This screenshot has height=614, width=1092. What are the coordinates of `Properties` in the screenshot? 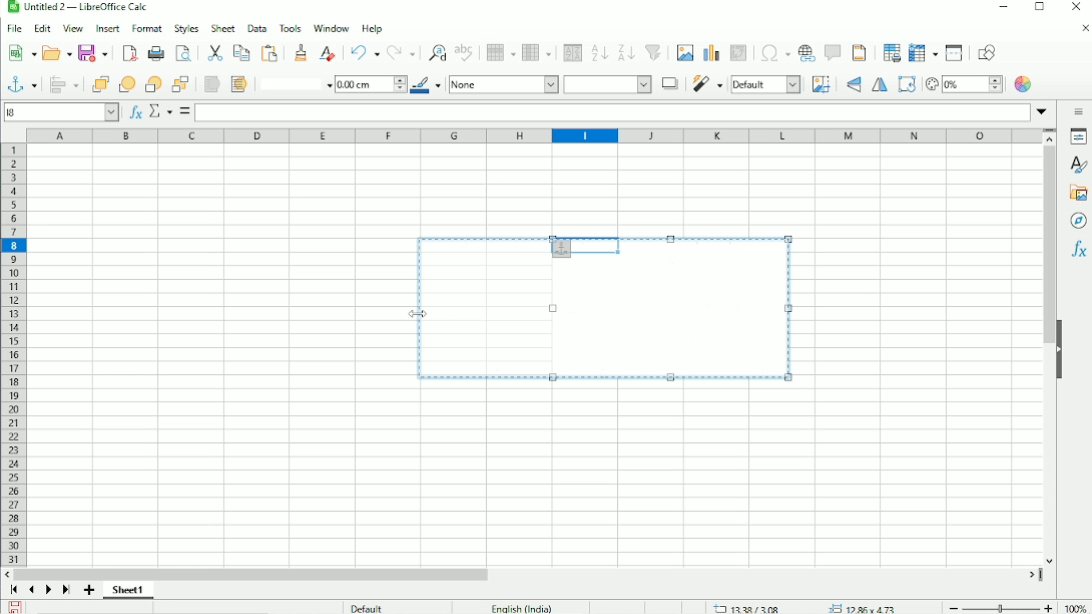 It's located at (1078, 137).